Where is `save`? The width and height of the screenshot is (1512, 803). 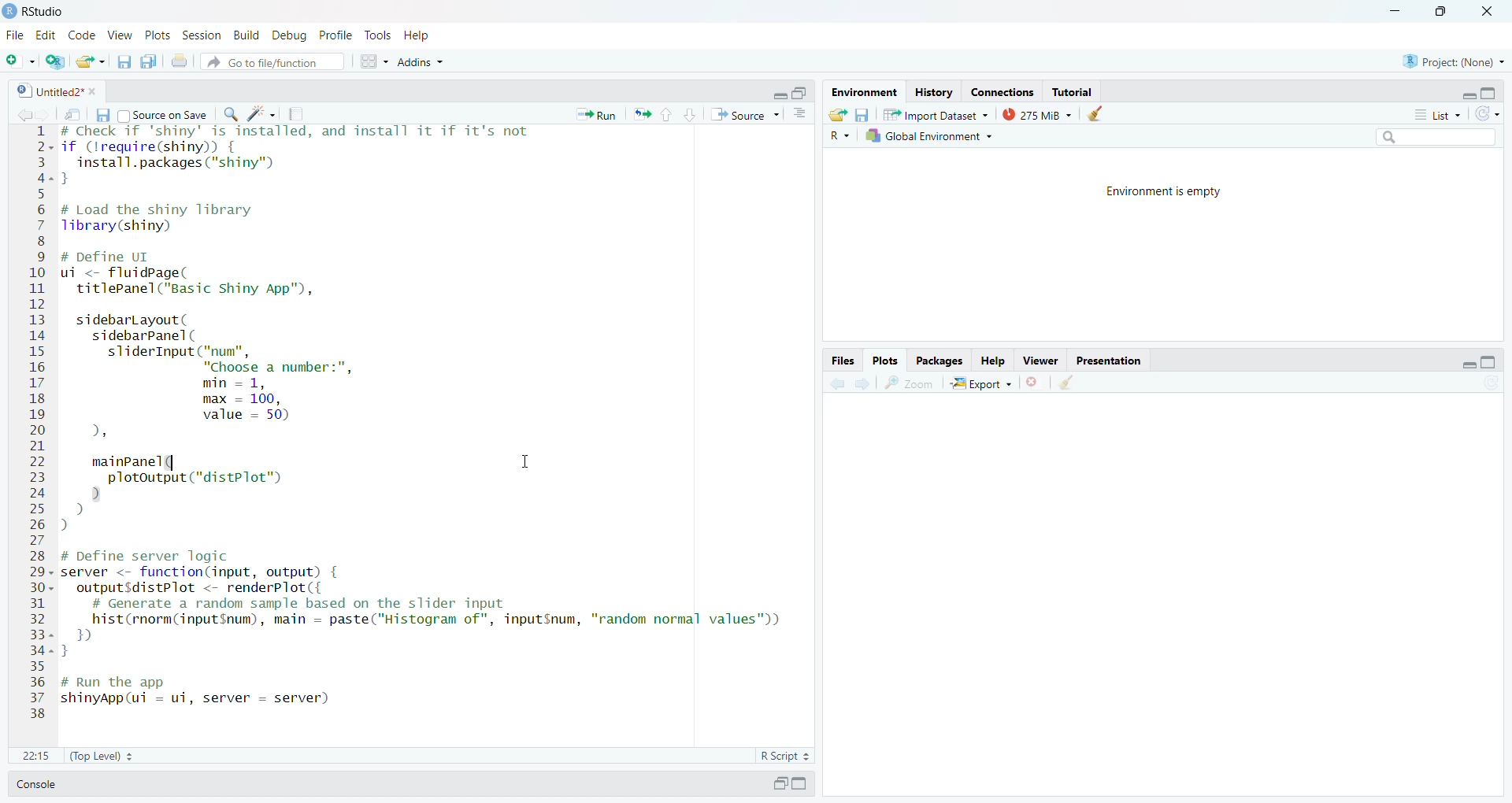
save is located at coordinates (124, 62).